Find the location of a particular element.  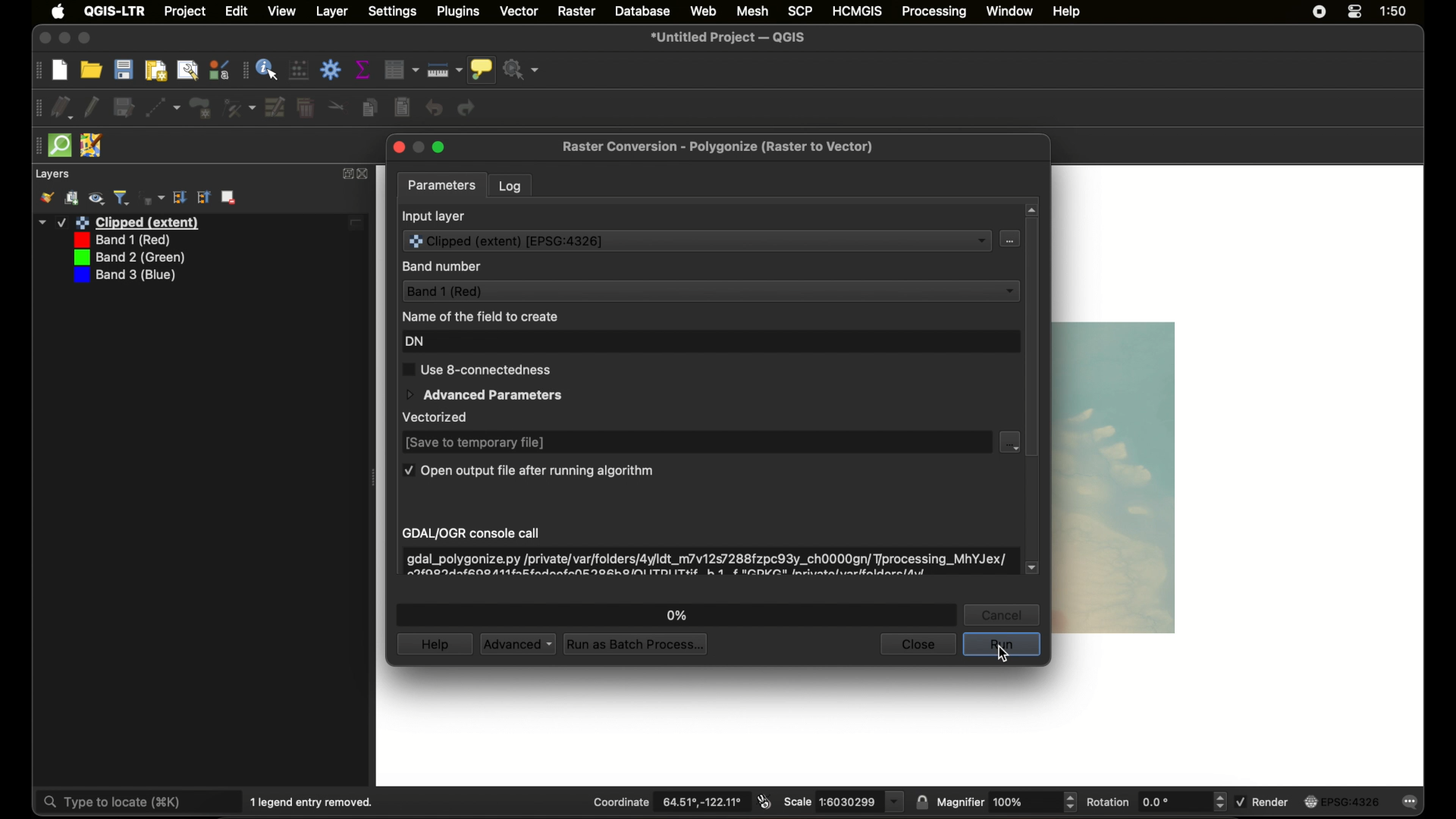

collapse all is located at coordinates (180, 197).